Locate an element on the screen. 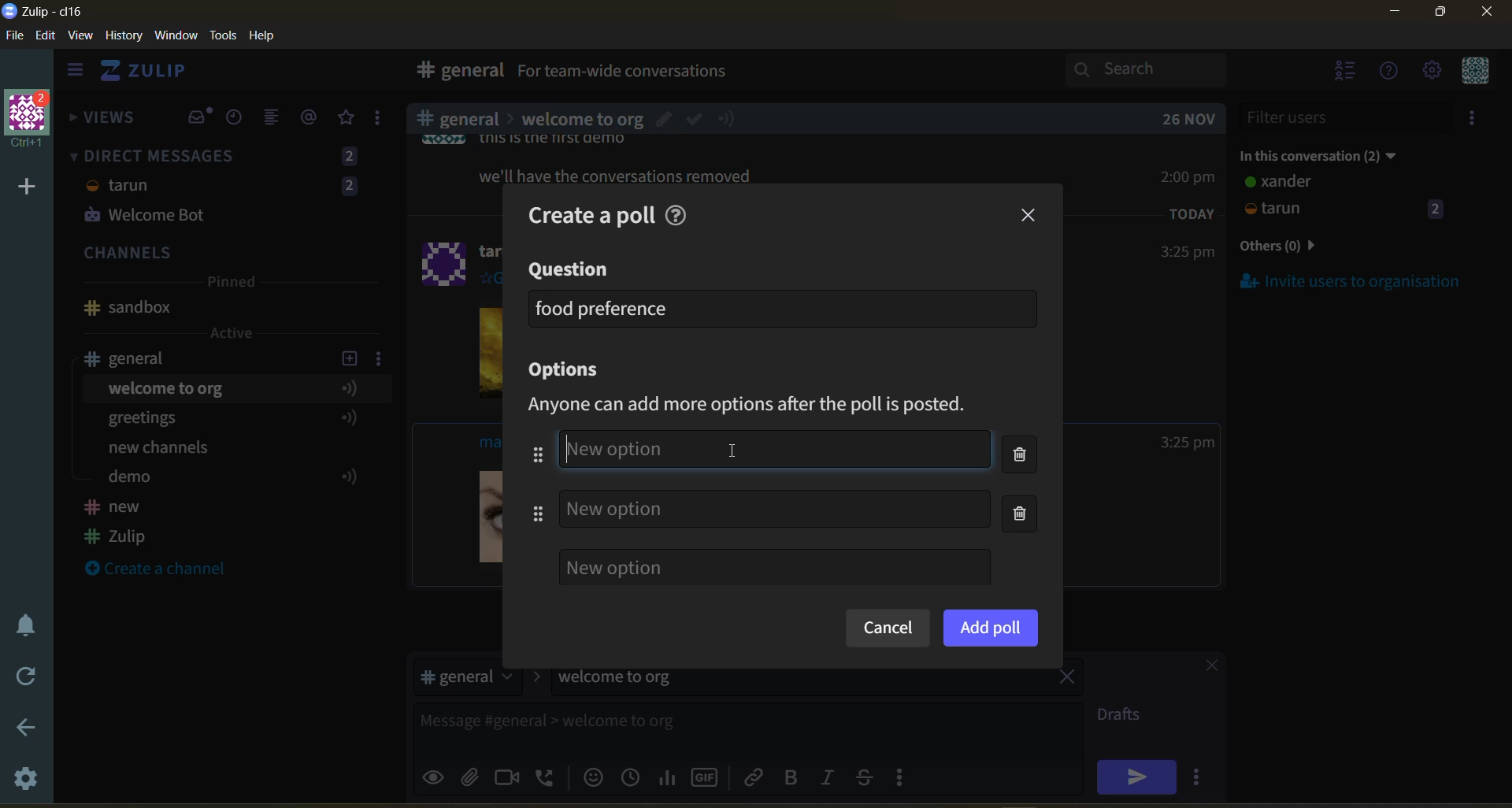 This screenshot has height=808, width=1512. settings menu is located at coordinates (1431, 72).